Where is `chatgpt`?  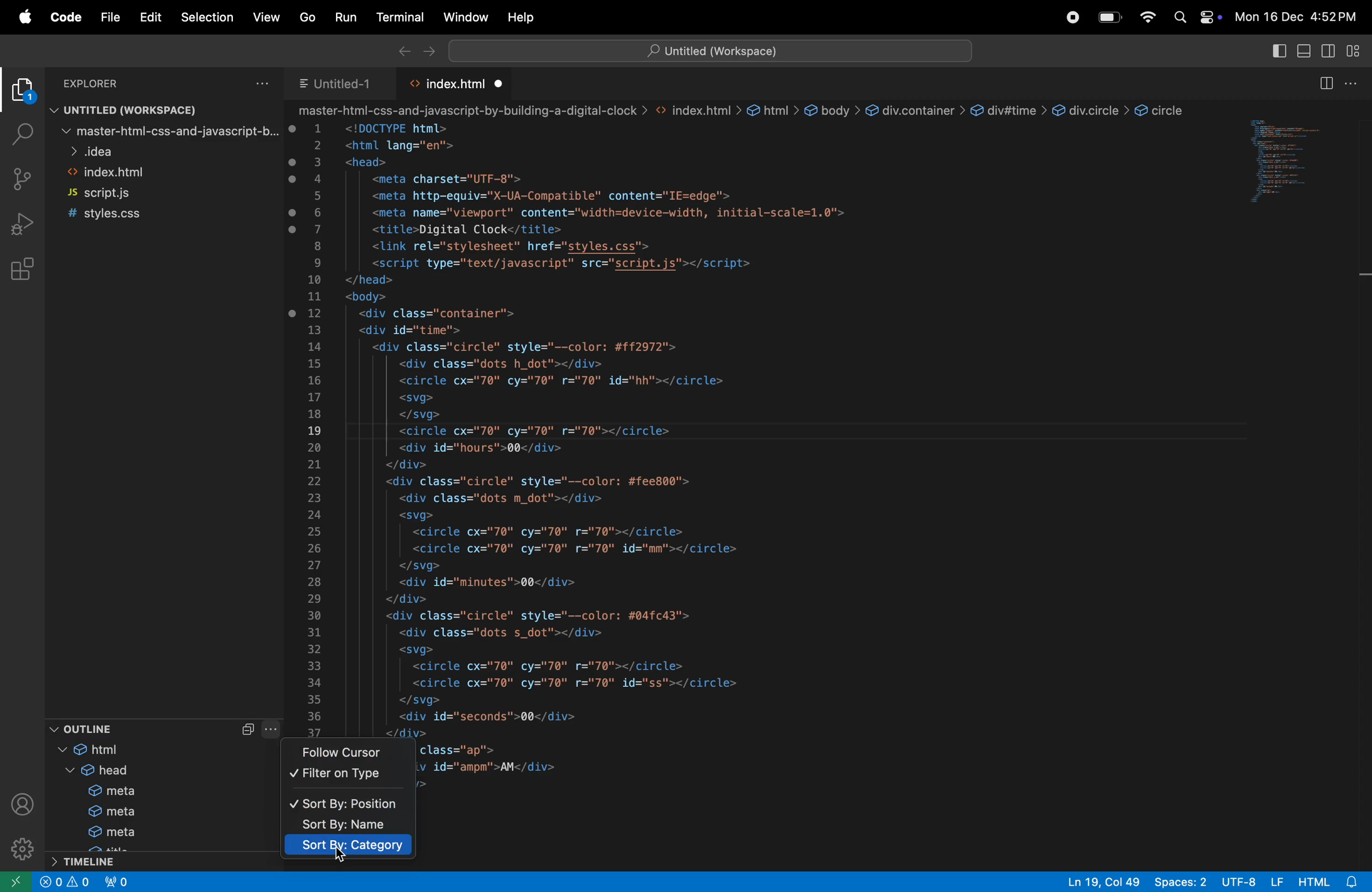 chatgpt is located at coordinates (1067, 16).